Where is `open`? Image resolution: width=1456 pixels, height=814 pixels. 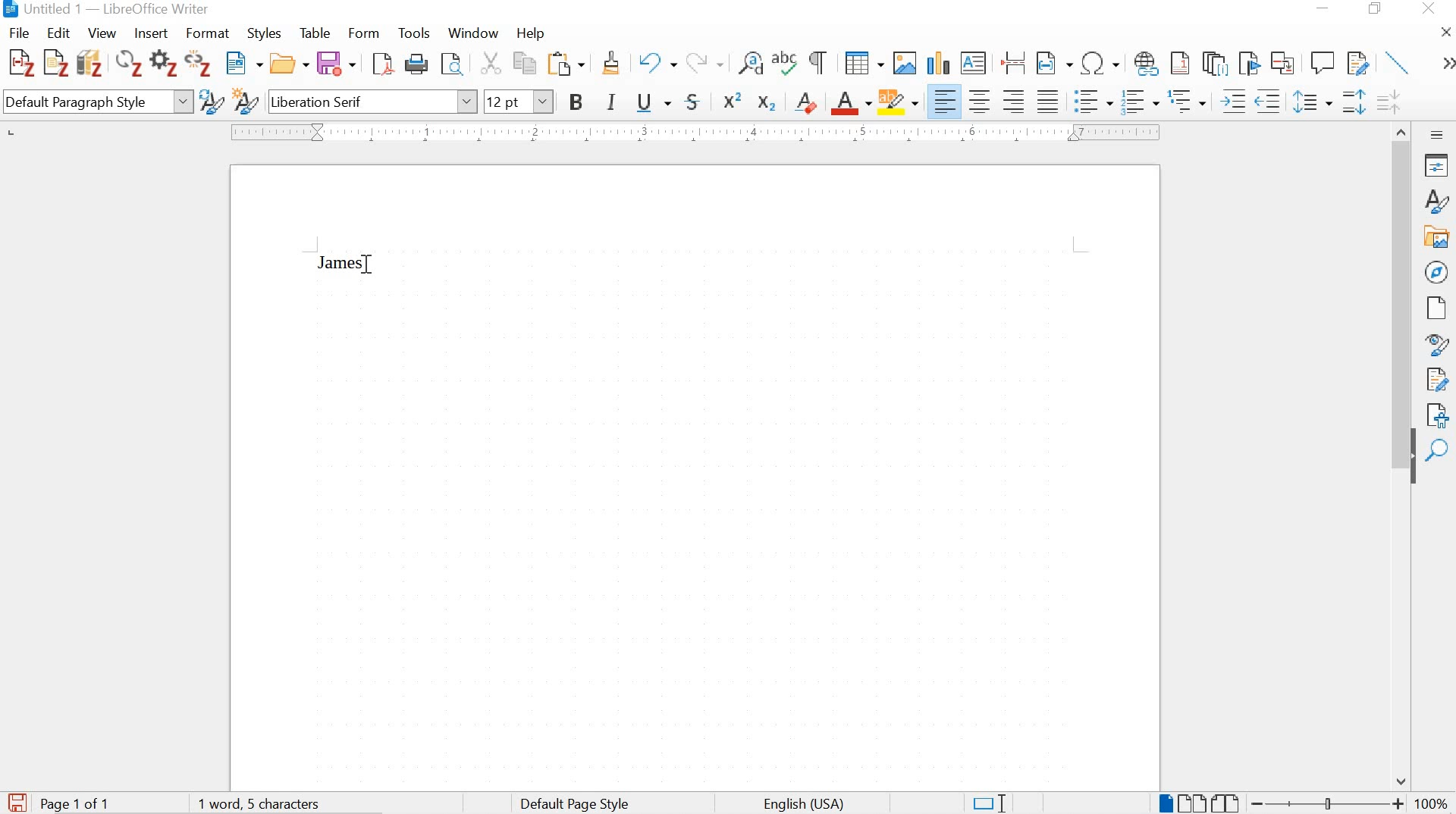
open is located at coordinates (290, 64).